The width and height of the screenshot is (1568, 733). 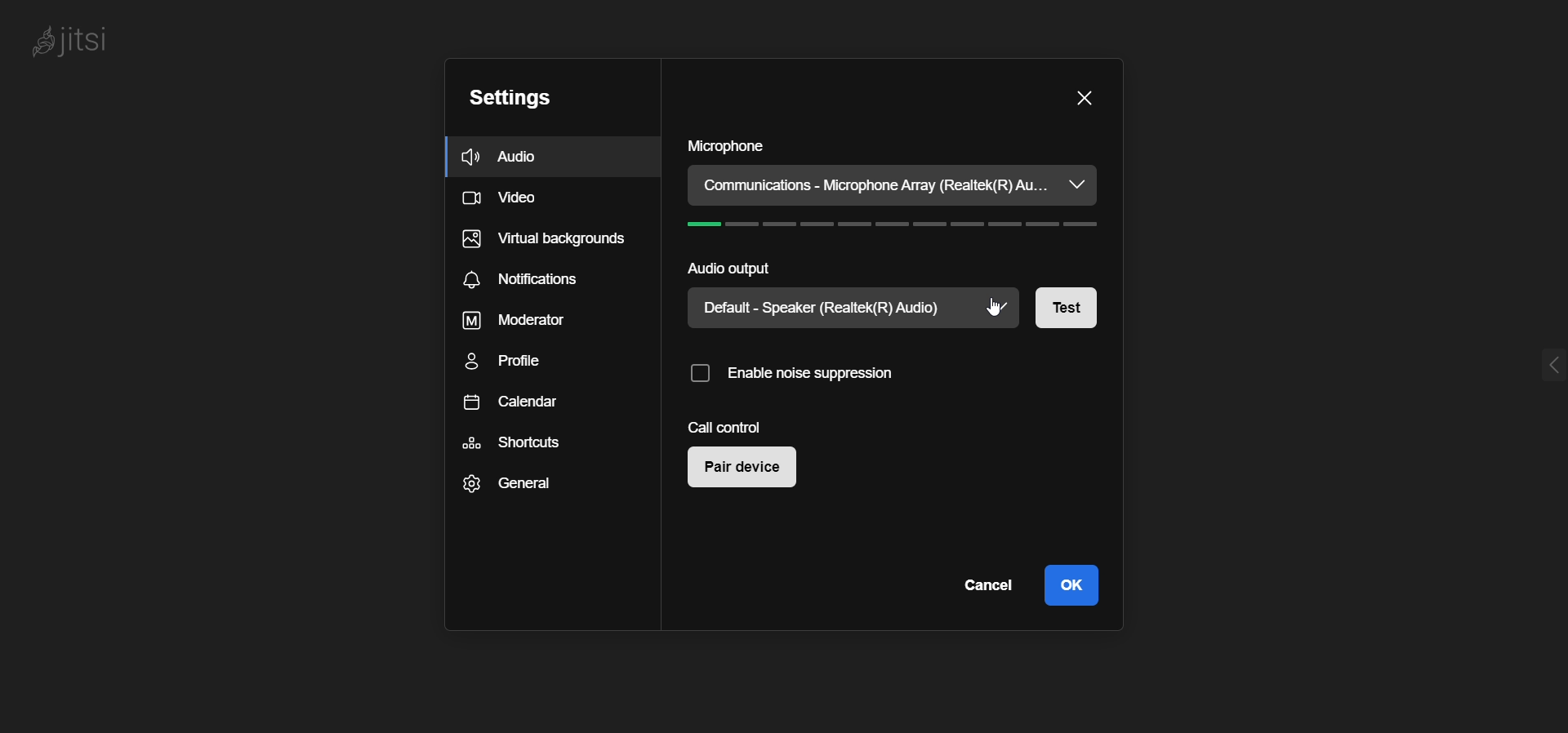 What do you see at coordinates (1076, 184) in the screenshot?
I see `microphone dropdown` at bounding box center [1076, 184].